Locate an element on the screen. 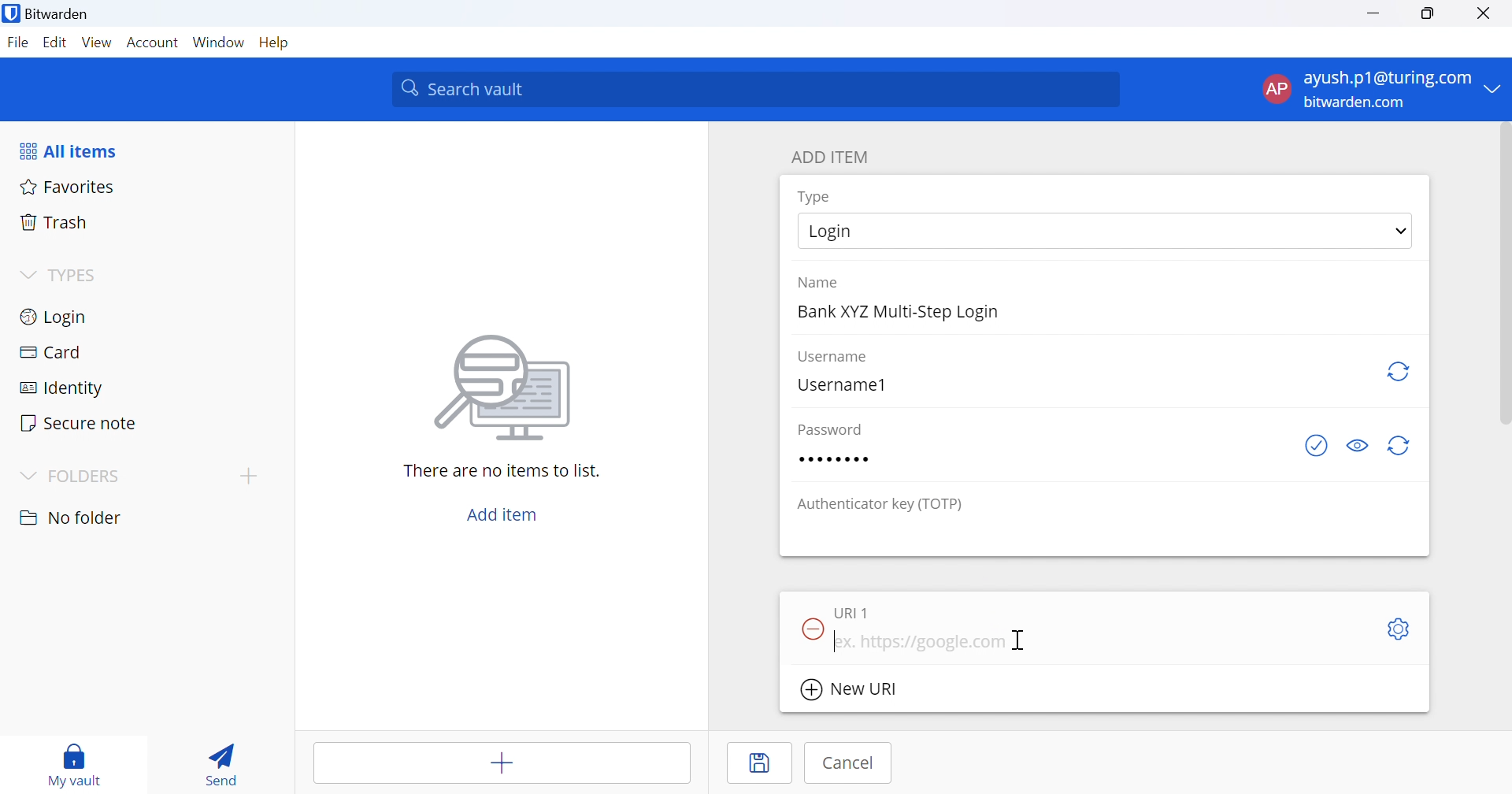 Image resolution: width=1512 pixels, height=794 pixels. New URI is located at coordinates (848, 690).